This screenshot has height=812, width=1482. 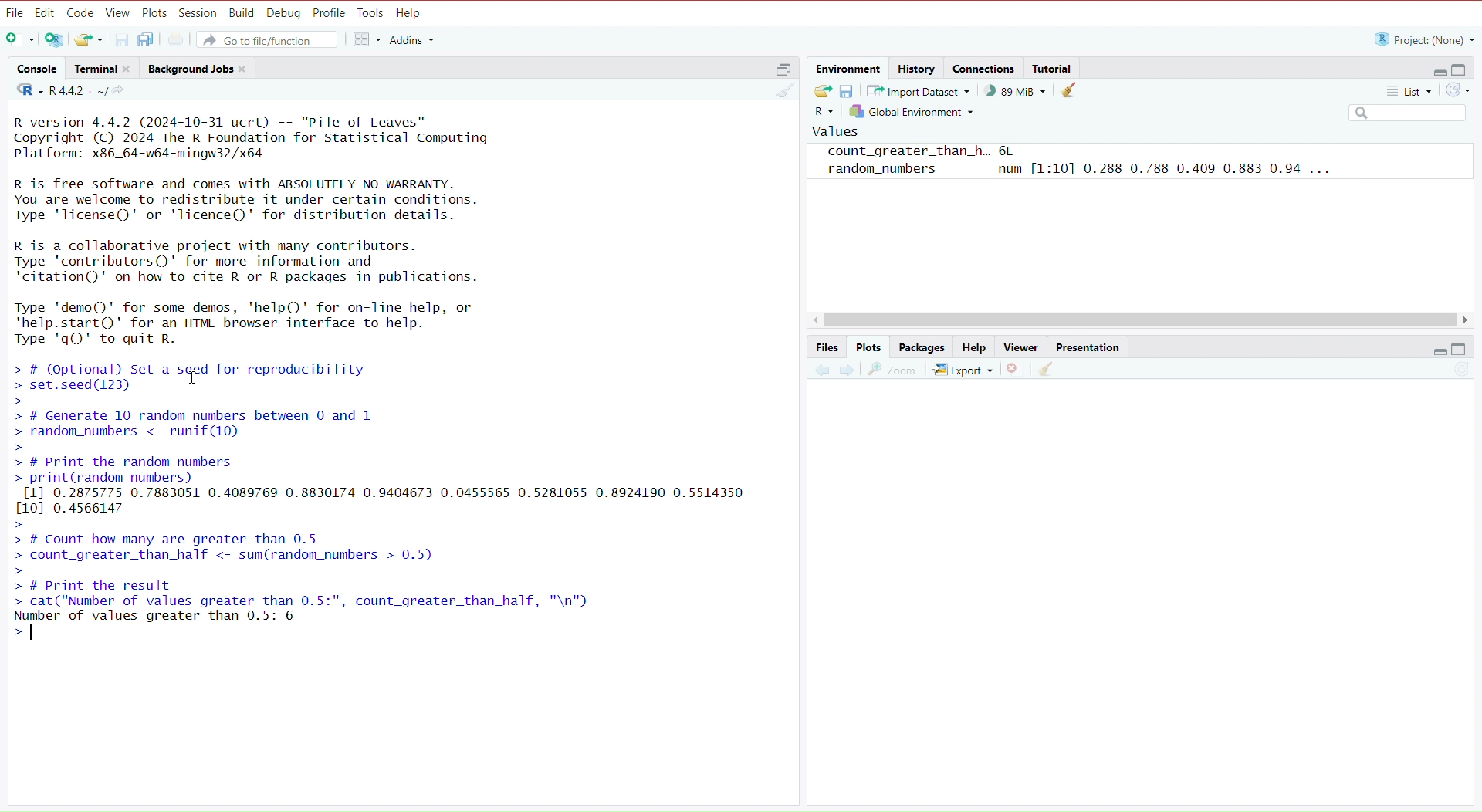 What do you see at coordinates (1439, 349) in the screenshot?
I see `Hide` at bounding box center [1439, 349].